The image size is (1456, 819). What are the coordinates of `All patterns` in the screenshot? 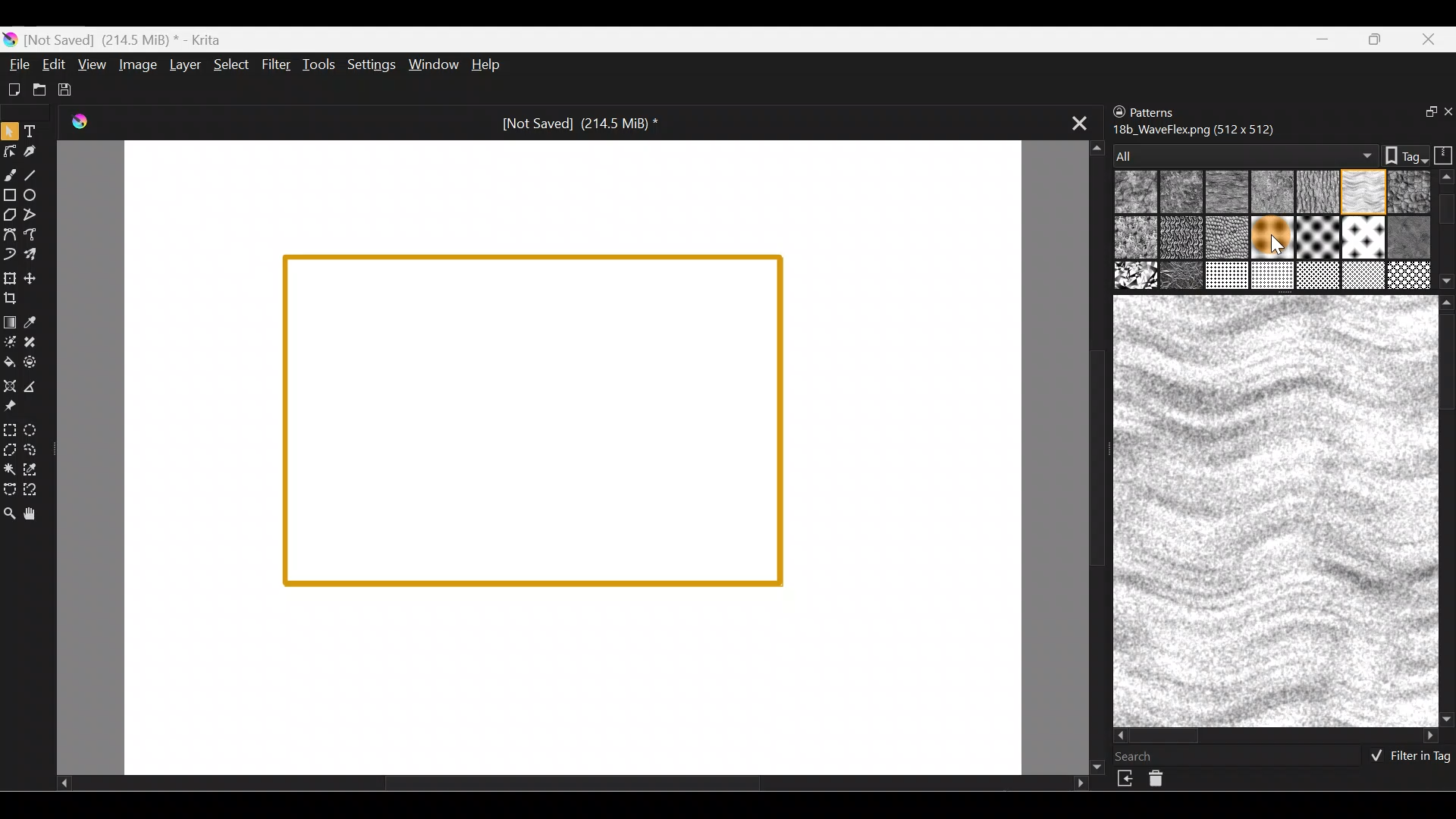 It's located at (1241, 151).